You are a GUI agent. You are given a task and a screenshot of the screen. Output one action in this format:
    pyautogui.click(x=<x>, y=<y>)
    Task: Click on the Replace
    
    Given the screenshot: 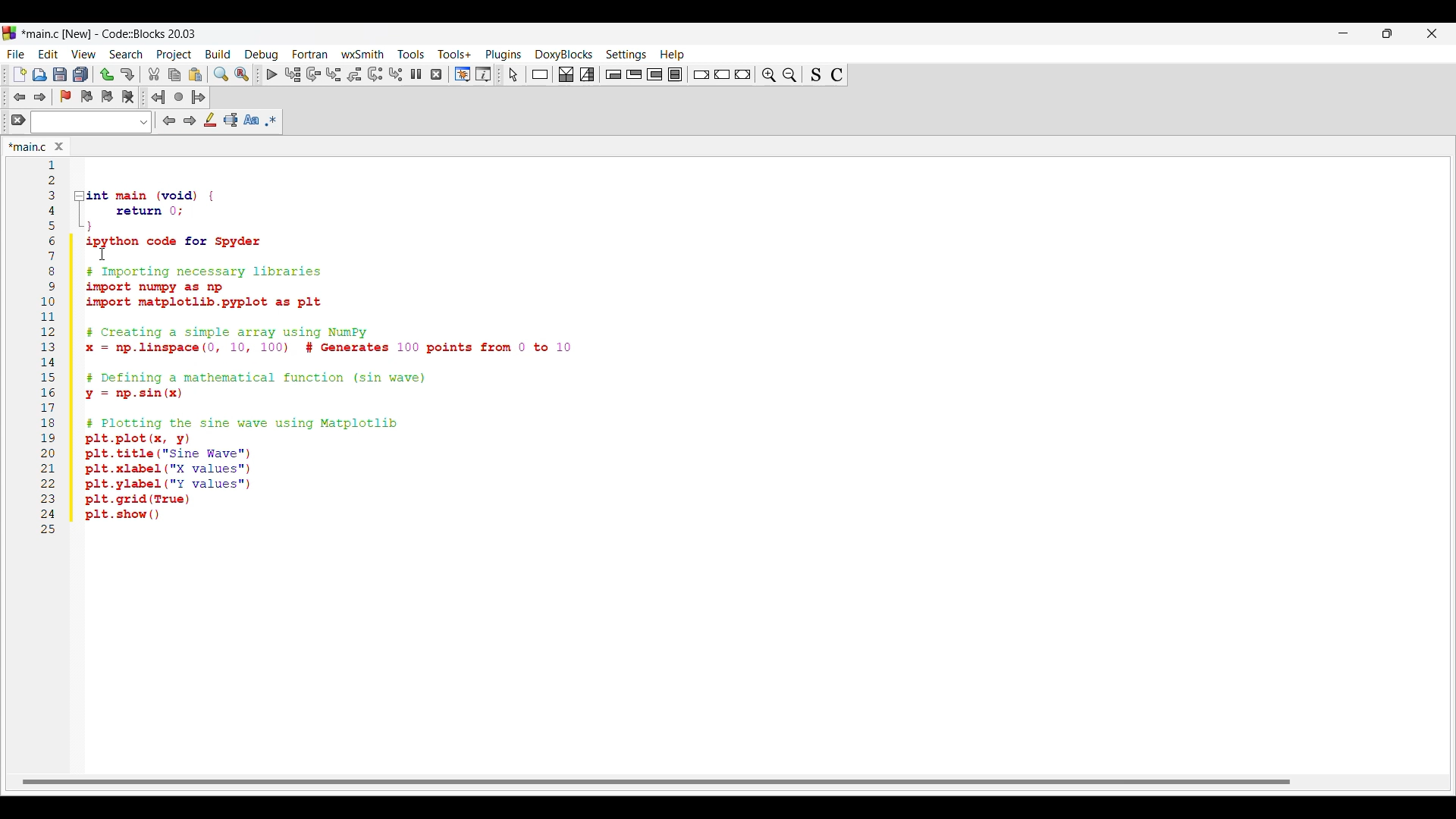 What is the action you would take?
    pyautogui.click(x=242, y=74)
    